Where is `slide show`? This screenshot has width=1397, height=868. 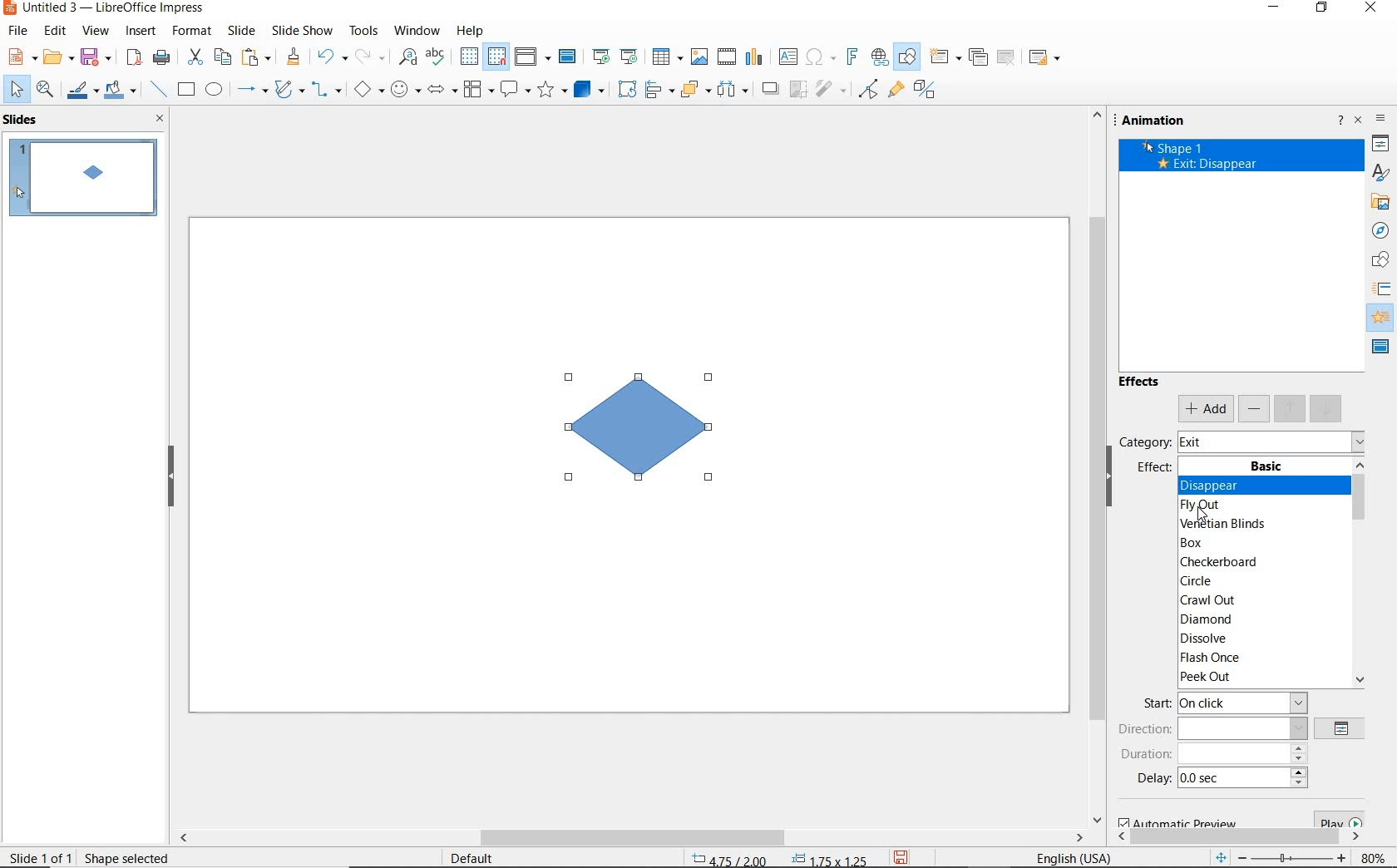 slide show is located at coordinates (304, 31).